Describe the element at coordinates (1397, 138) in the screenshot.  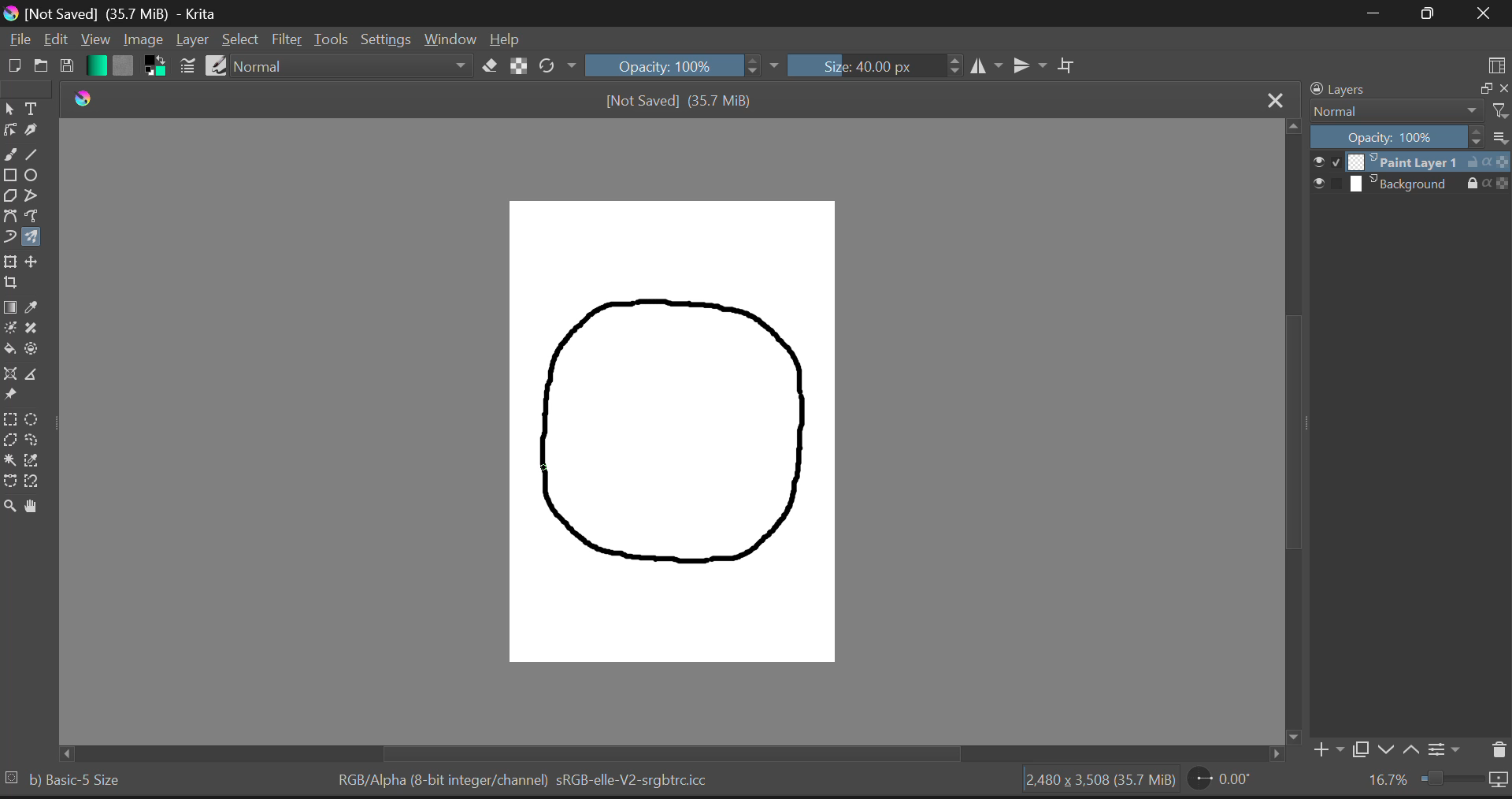
I see `Opacity` at that location.